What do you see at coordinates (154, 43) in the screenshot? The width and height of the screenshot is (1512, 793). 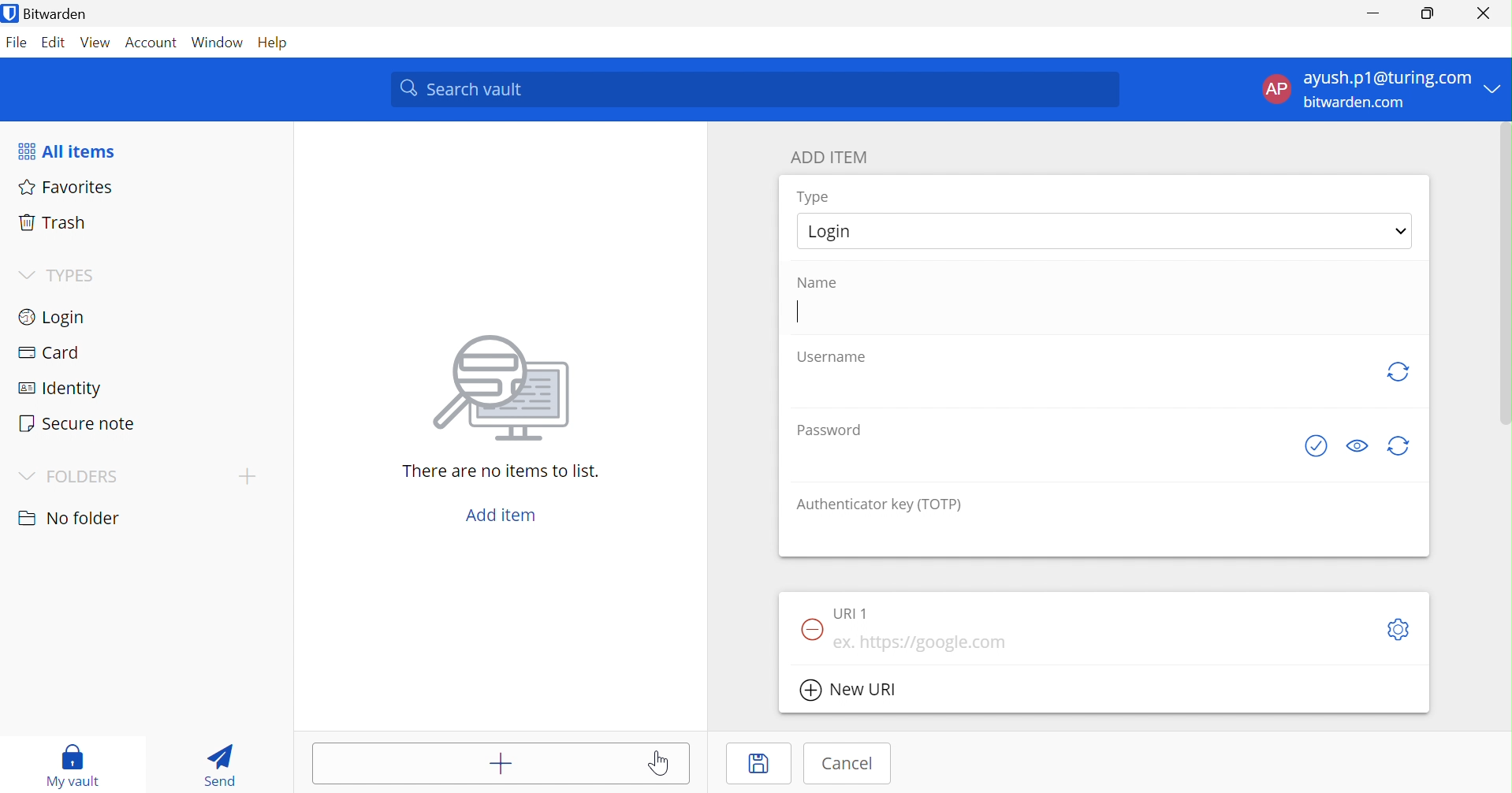 I see `Account` at bounding box center [154, 43].